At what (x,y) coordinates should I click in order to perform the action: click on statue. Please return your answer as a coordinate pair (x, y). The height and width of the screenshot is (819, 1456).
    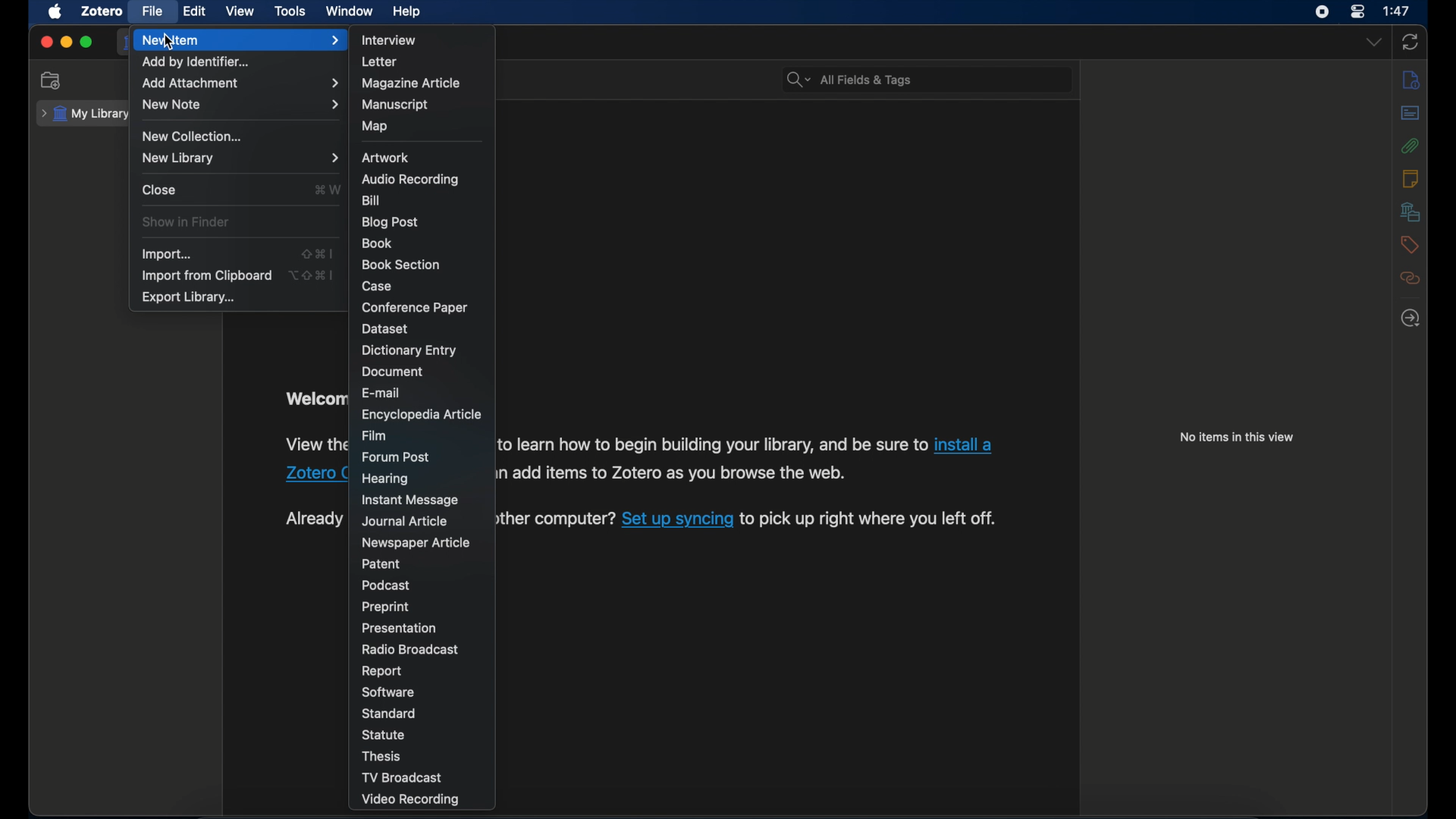
    Looking at the image, I should click on (383, 734).